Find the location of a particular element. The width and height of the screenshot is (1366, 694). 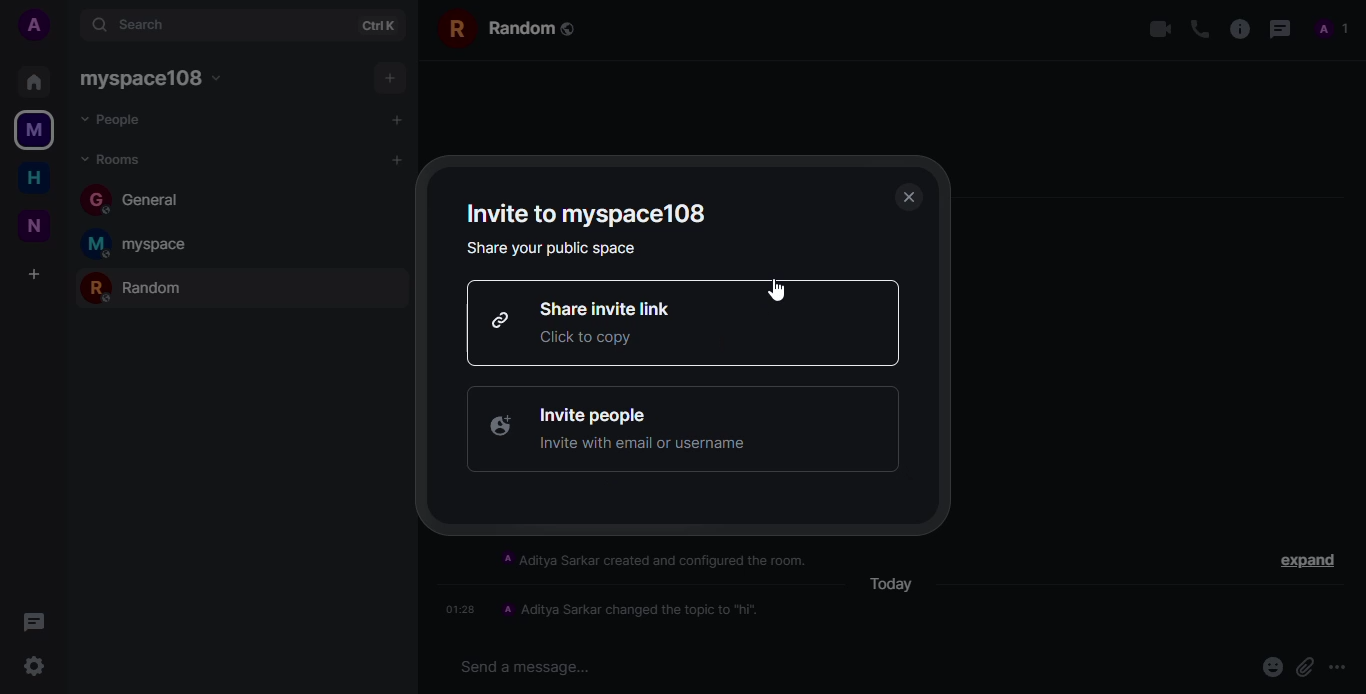

threads is located at coordinates (38, 622).